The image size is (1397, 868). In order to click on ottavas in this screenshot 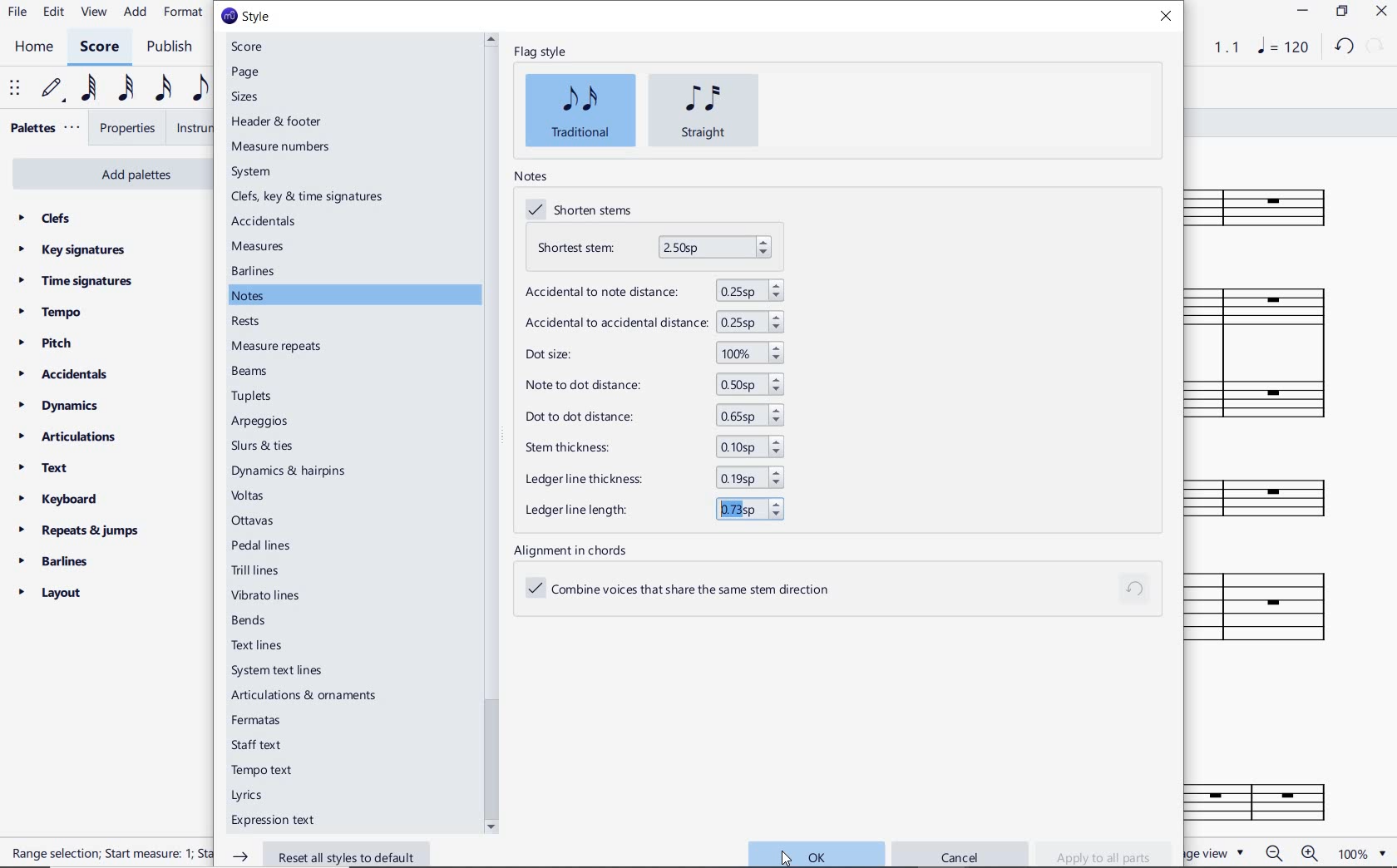, I will do `click(259, 520)`.